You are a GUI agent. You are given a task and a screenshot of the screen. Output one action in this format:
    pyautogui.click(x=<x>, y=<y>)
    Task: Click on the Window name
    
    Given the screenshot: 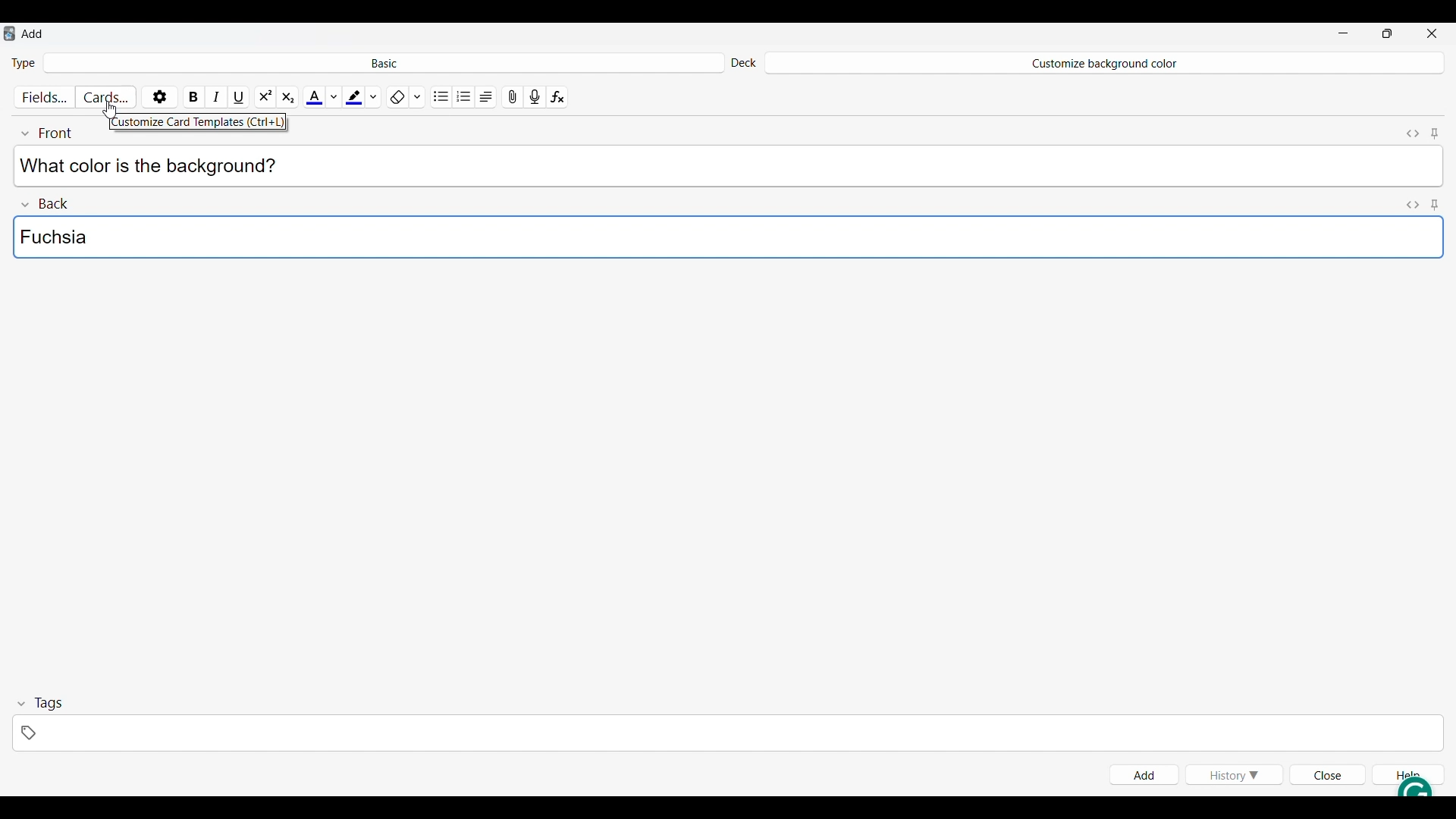 What is the action you would take?
    pyautogui.click(x=33, y=33)
    